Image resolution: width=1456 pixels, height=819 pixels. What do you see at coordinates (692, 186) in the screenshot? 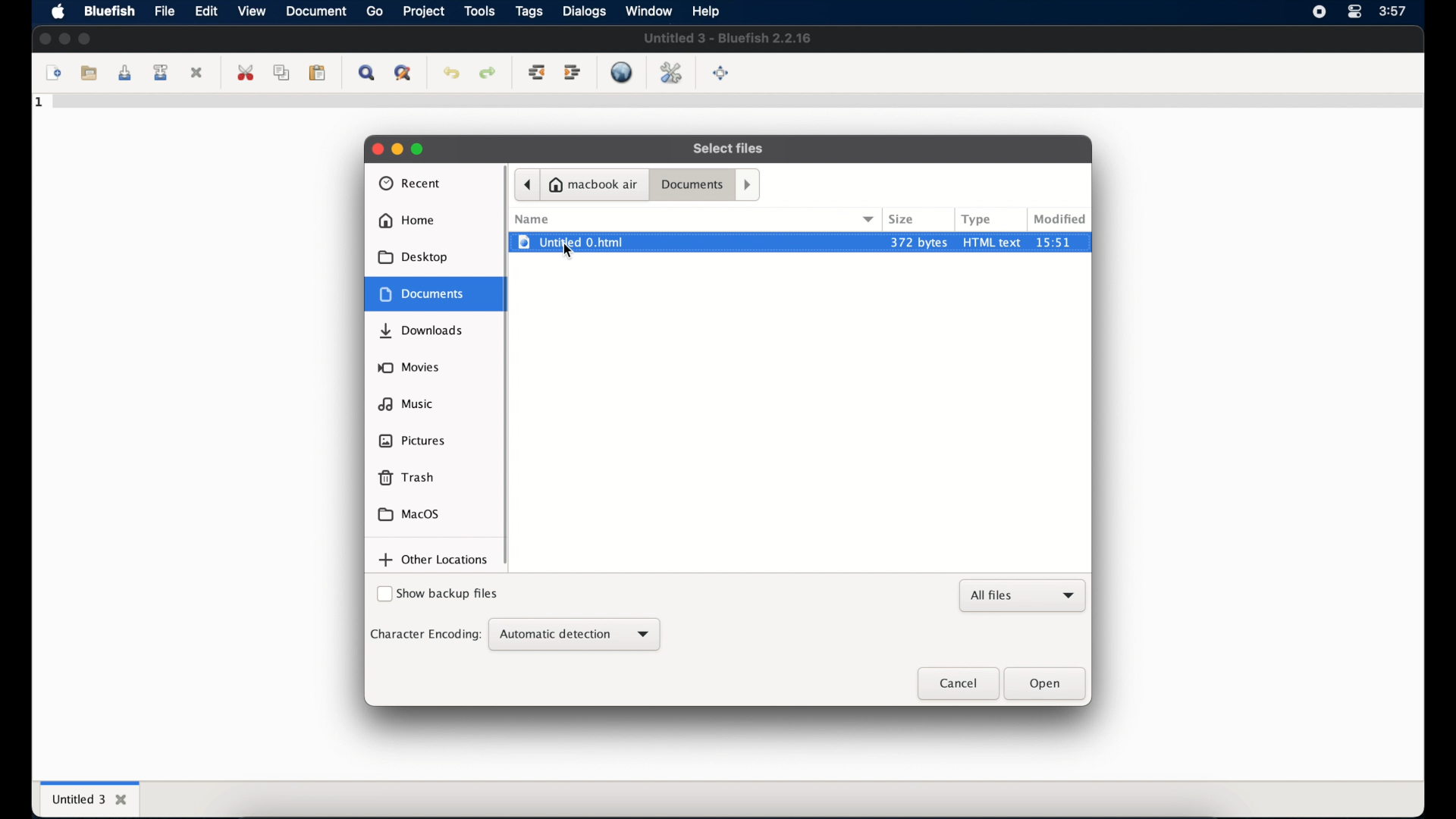
I see `documents` at bounding box center [692, 186].